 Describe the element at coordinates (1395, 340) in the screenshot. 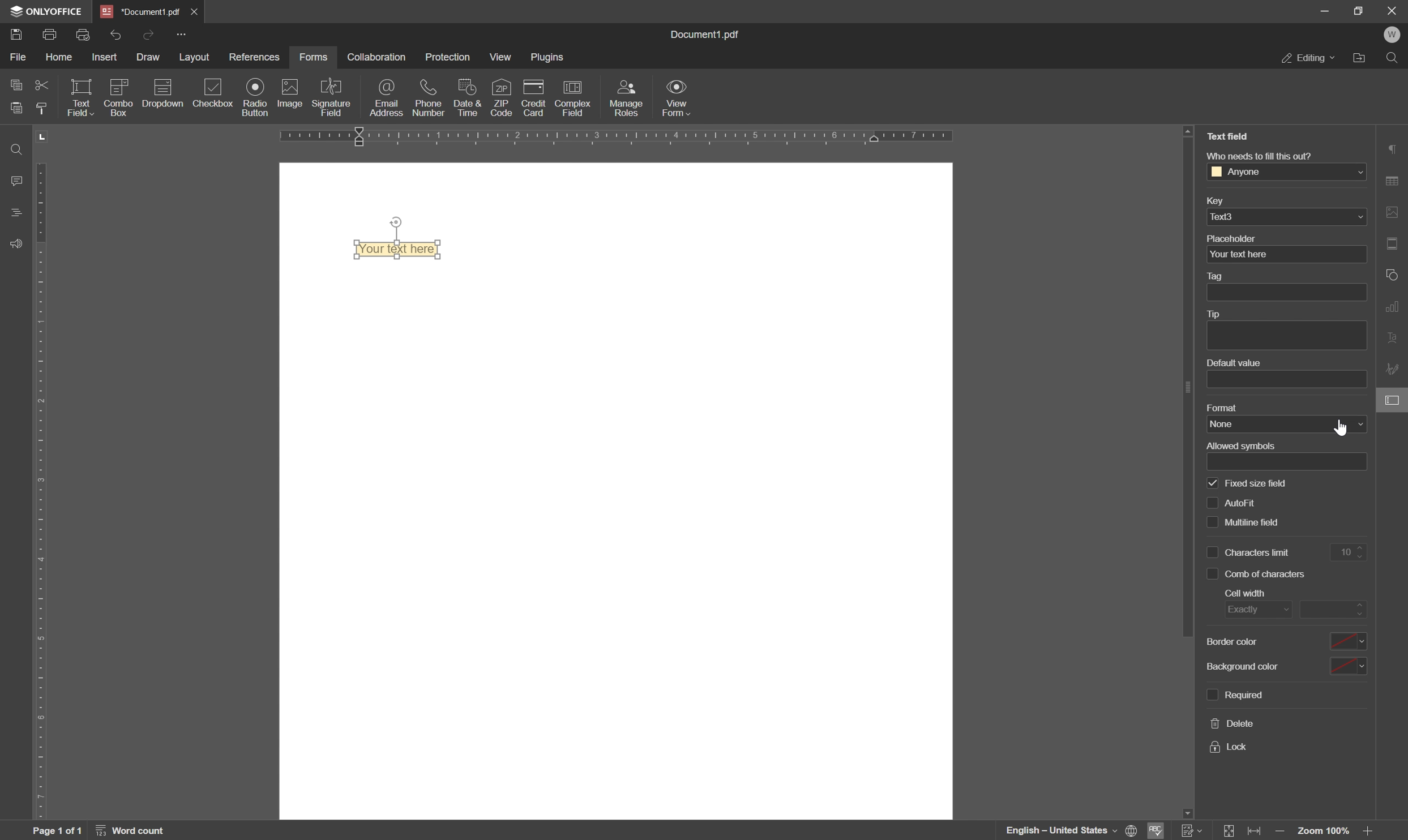

I see `text art settings` at that location.